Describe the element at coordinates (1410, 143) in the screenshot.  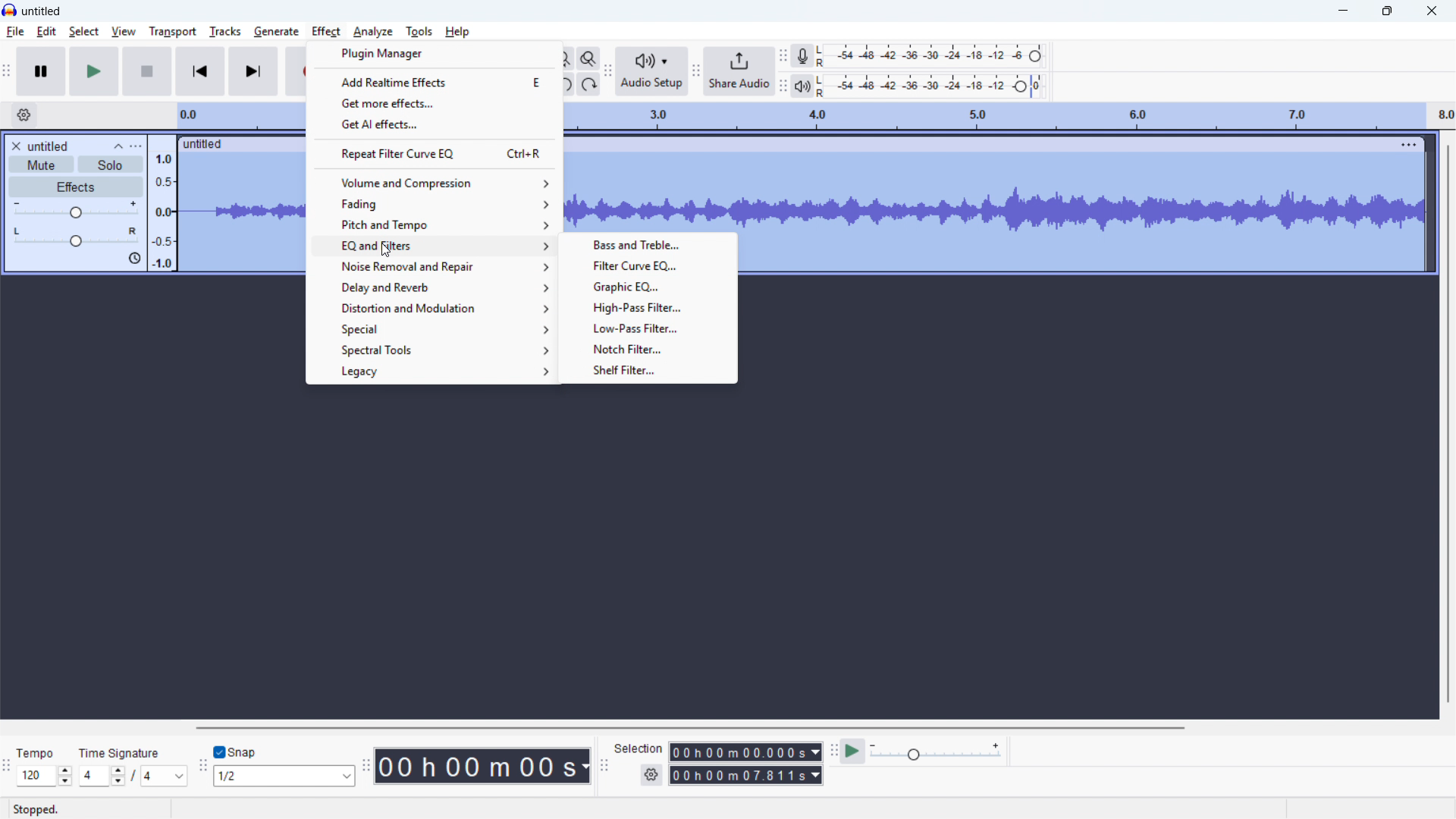
I see `track options ` at that location.